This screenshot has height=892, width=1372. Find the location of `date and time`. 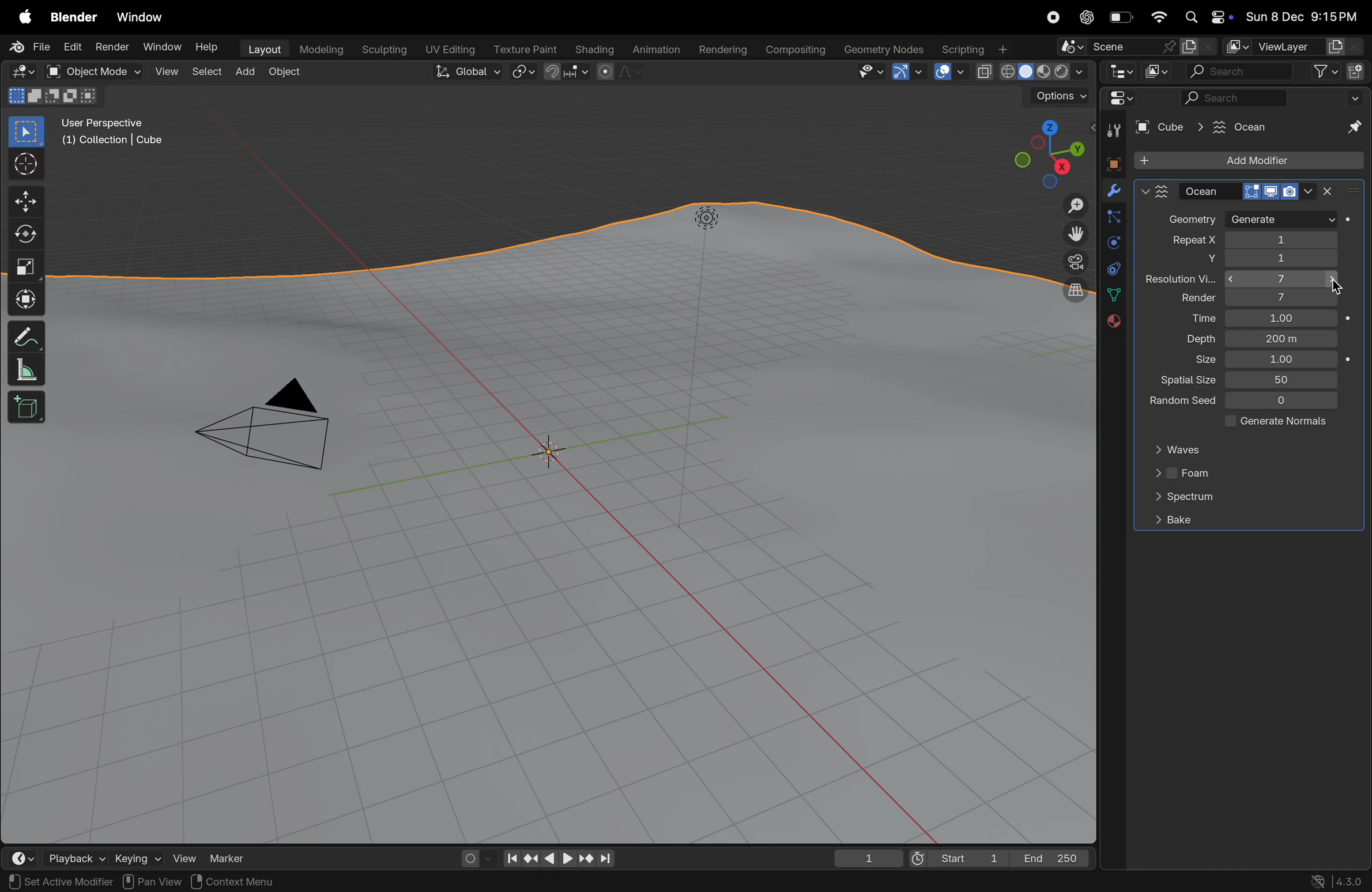

date and time is located at coordinates (1302, 18).